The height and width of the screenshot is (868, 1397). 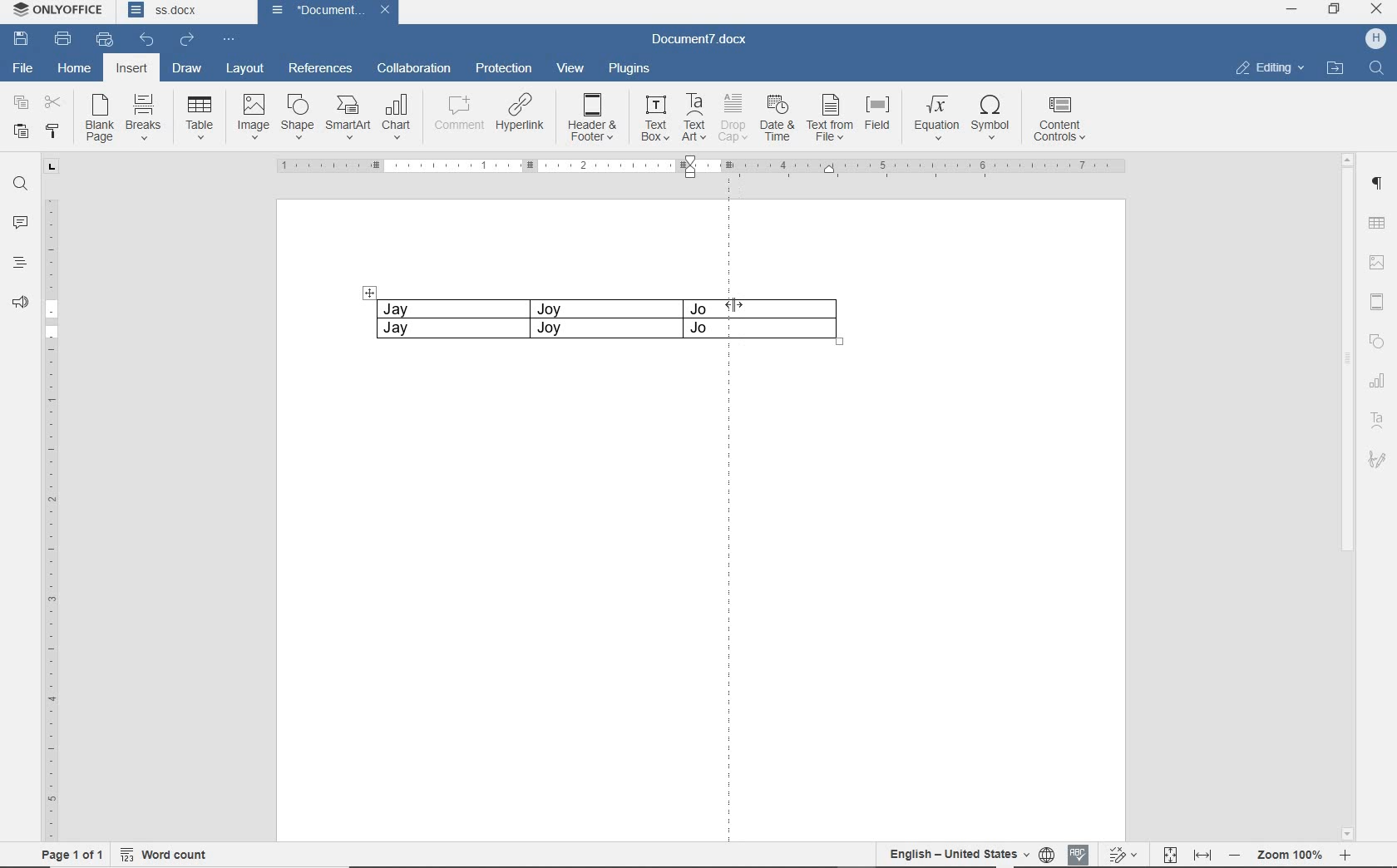 What do you see at coordinates (143, 114) in the screenshot?
I see `BREAKS` at bounding box center [143, 114].